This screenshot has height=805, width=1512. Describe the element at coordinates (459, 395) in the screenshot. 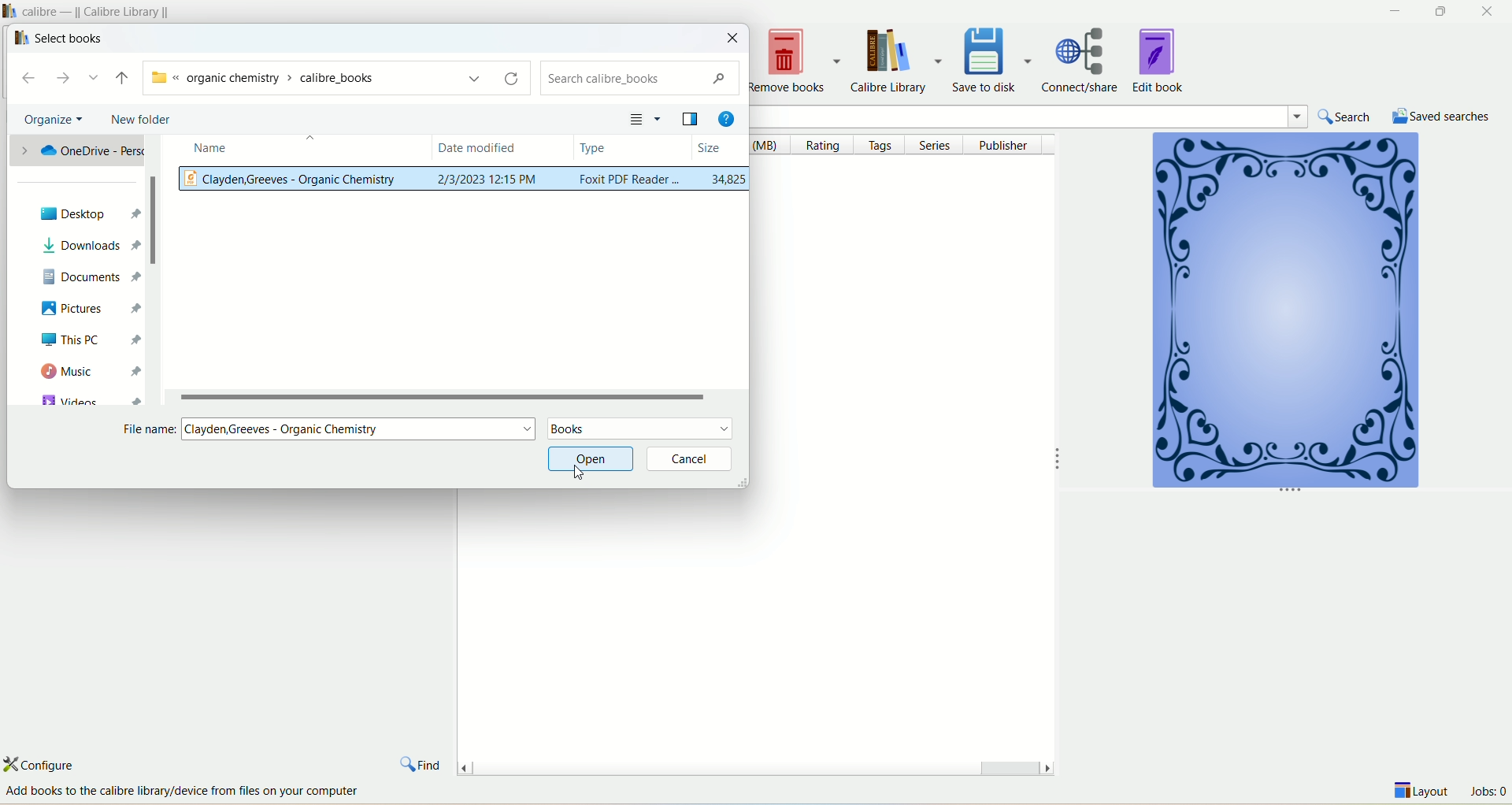

I see `horizontal scroll bar` at that location.